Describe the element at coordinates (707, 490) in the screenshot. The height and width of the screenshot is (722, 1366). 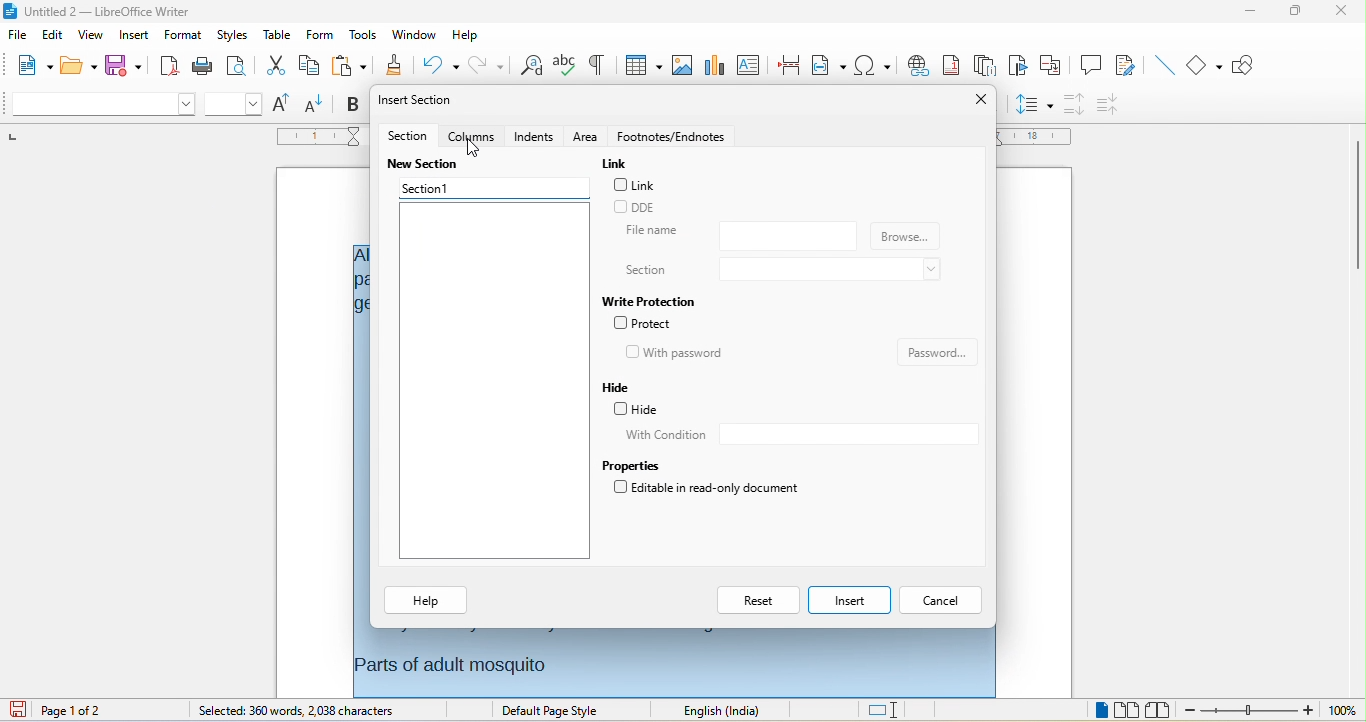
I see `editable in read only document` at that location.